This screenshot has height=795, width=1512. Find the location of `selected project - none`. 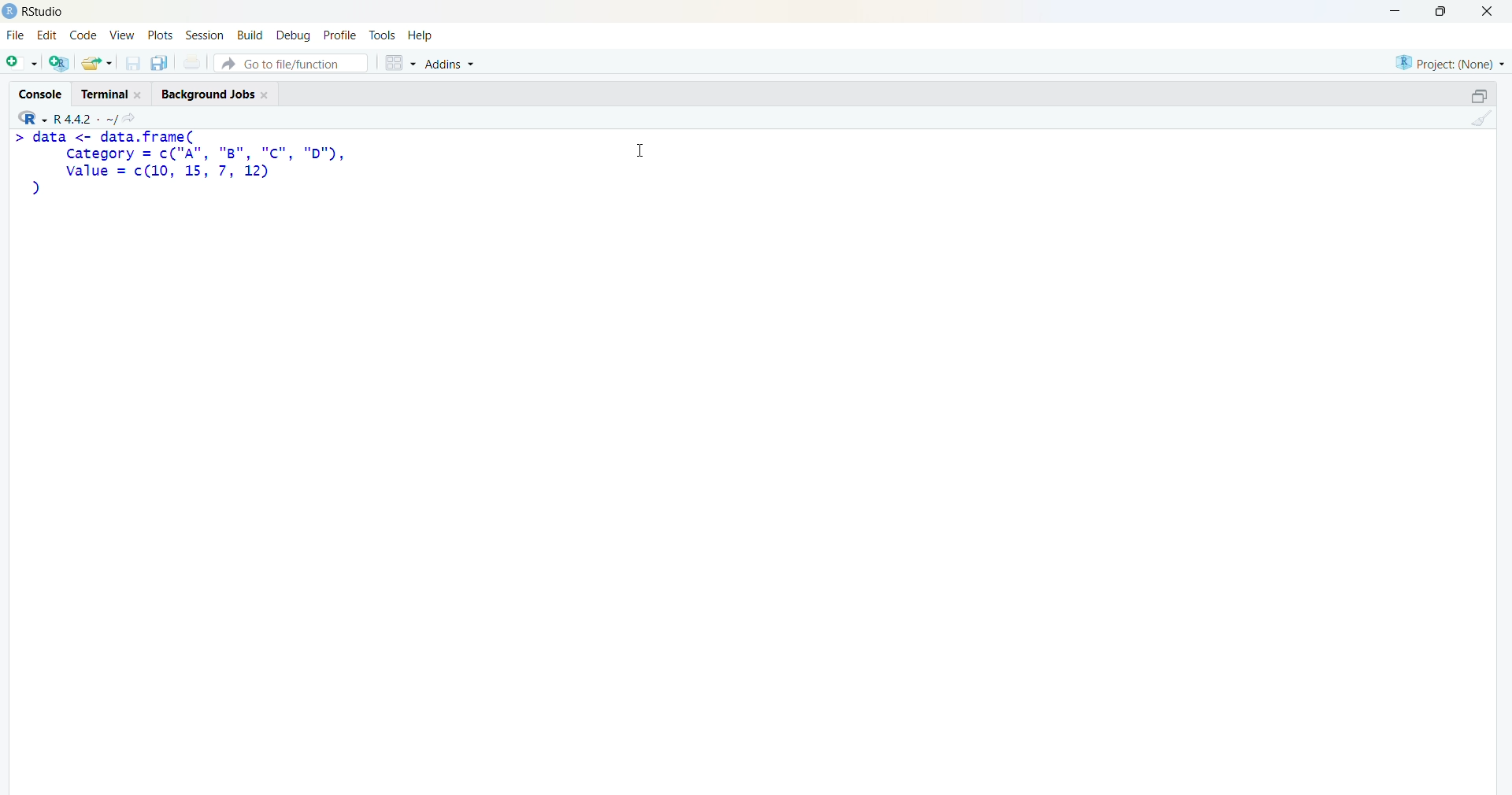

selected project - none is located at coordinates (1452, 62).